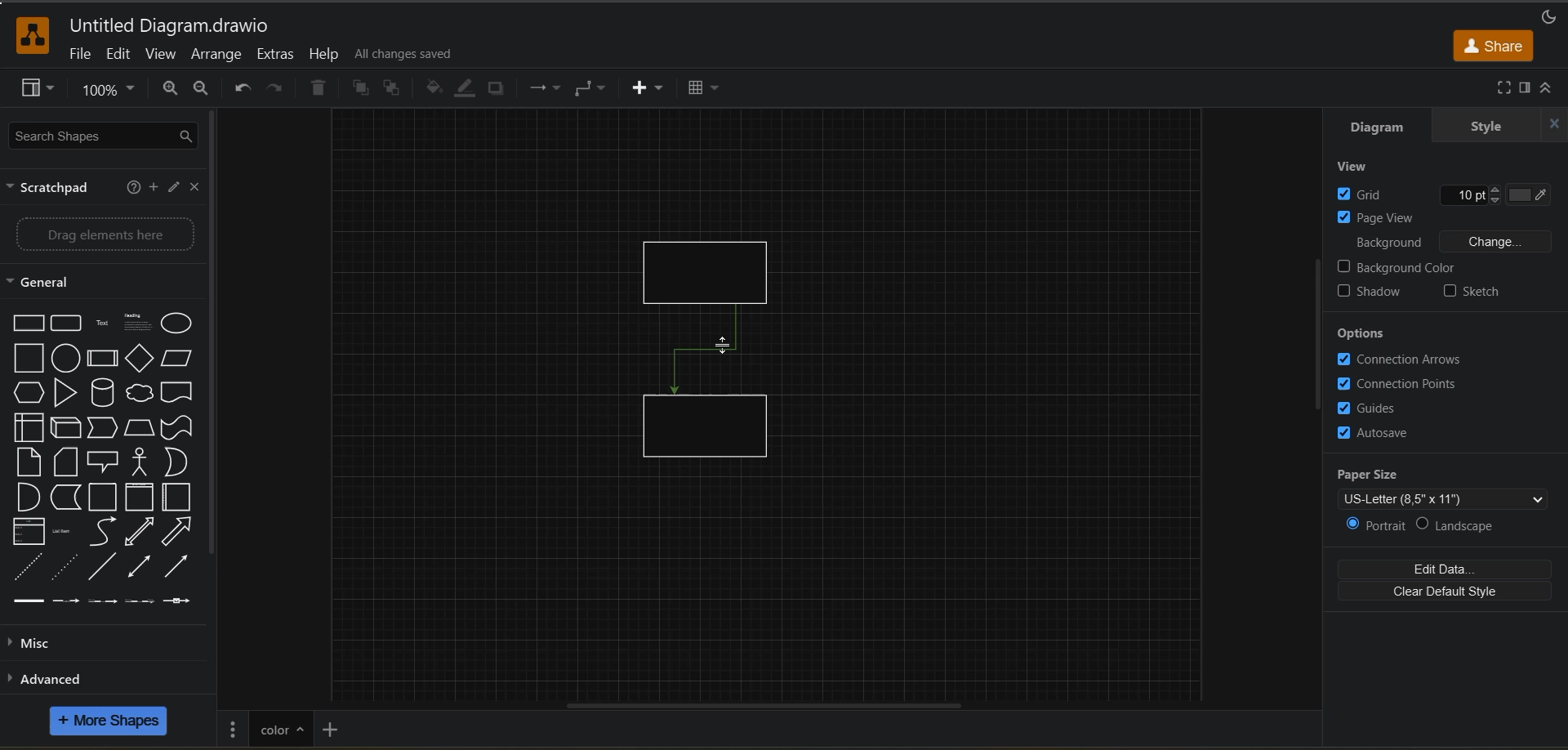 The width and height of the screenshot is (1568, 750). I want to click on Connector with 3 label, so click(139, 604).